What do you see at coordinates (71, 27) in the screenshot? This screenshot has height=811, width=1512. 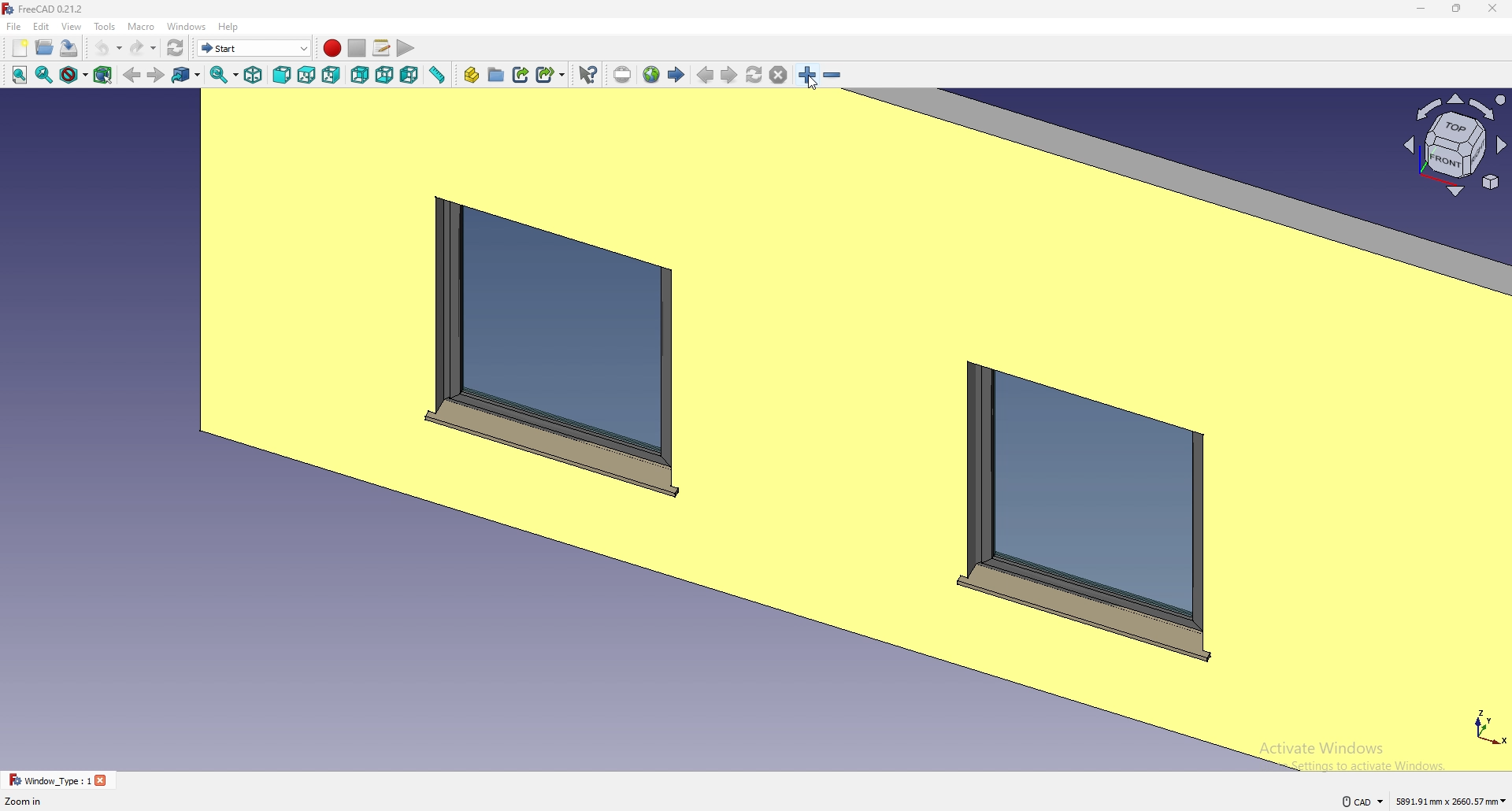 I see `view` at bounding box center [71, 27].